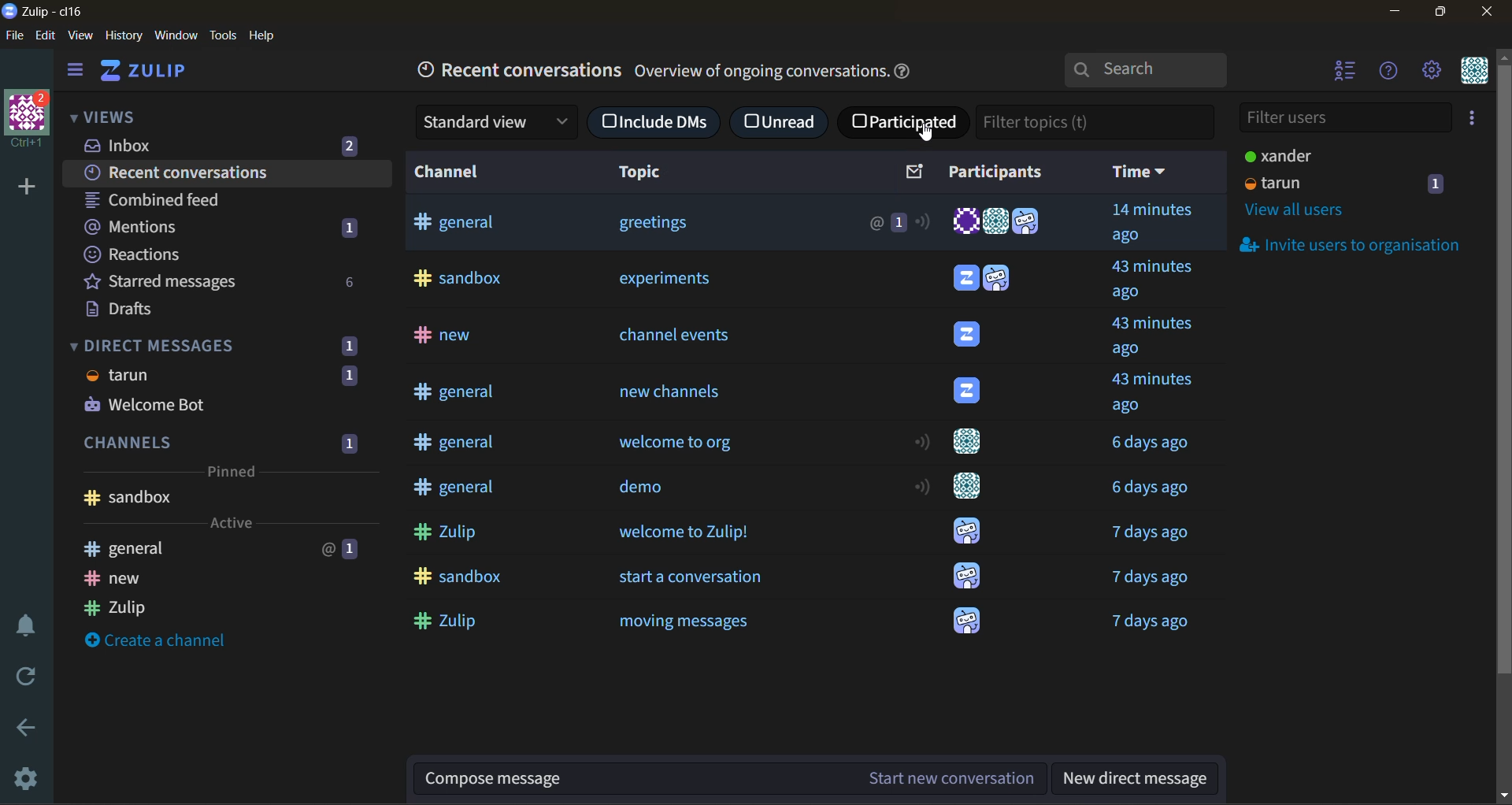  Describe the element at coordinates (222, 281) in the screenshot. I see `starred messages` at that location.